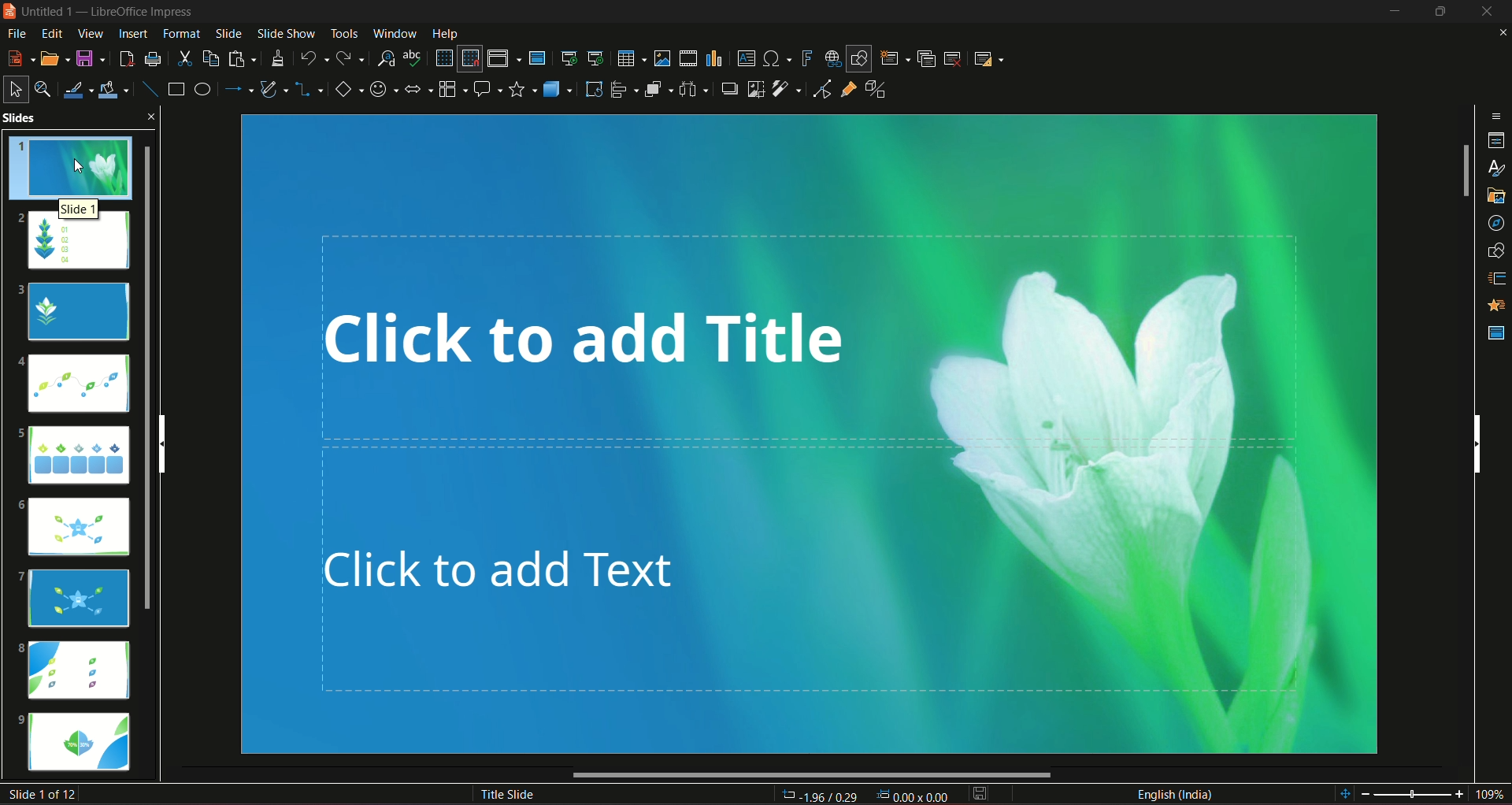 The width and height of the screenshot is (1512, 805). Describe the element at coordinates (20, 57) in the screenshot. I see `new` at that location.